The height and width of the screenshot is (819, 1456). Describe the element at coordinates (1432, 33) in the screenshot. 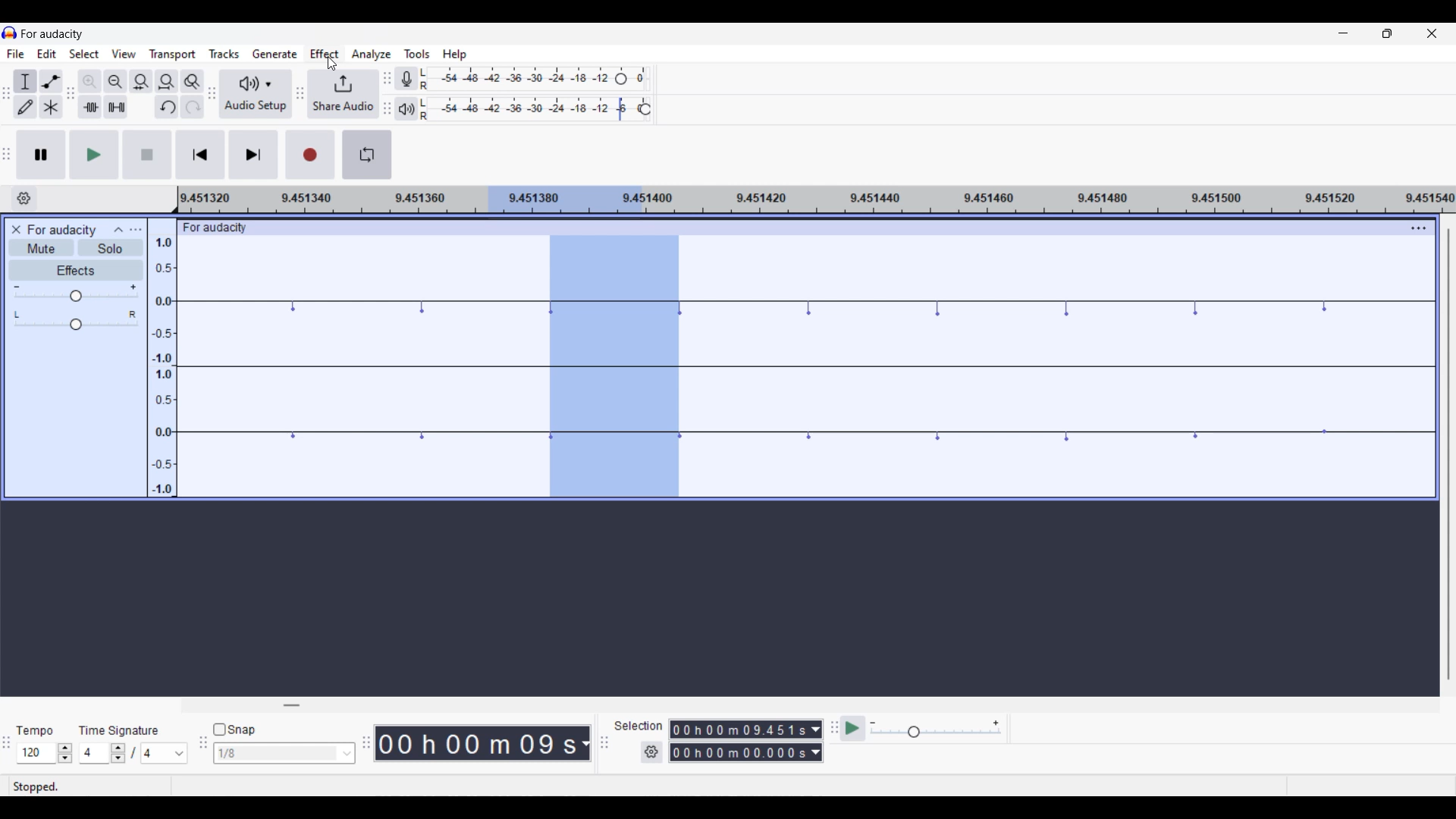

I see `Close interface` at that location.